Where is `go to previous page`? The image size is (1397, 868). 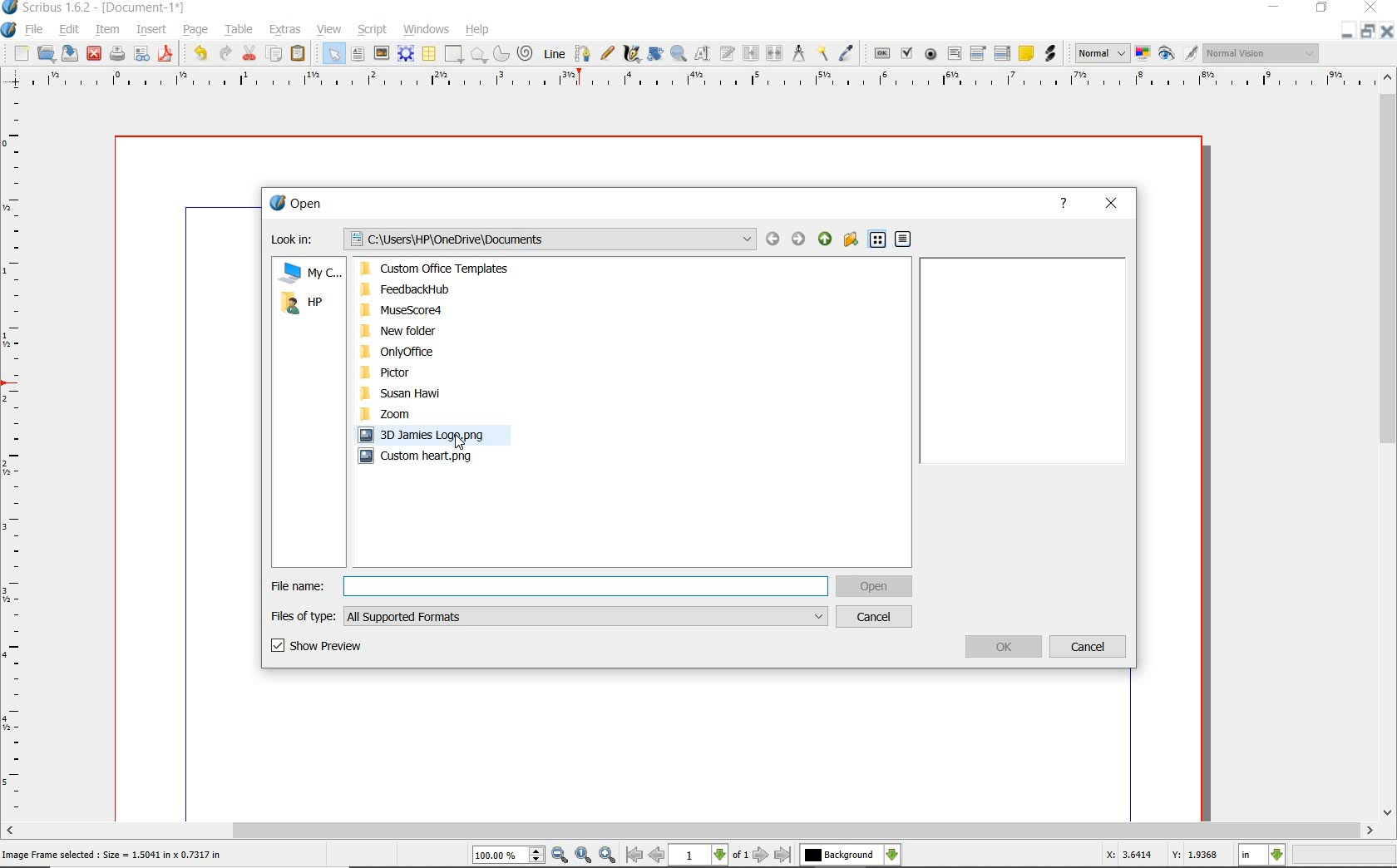 go to previous page is located at coordinates (656, 856).